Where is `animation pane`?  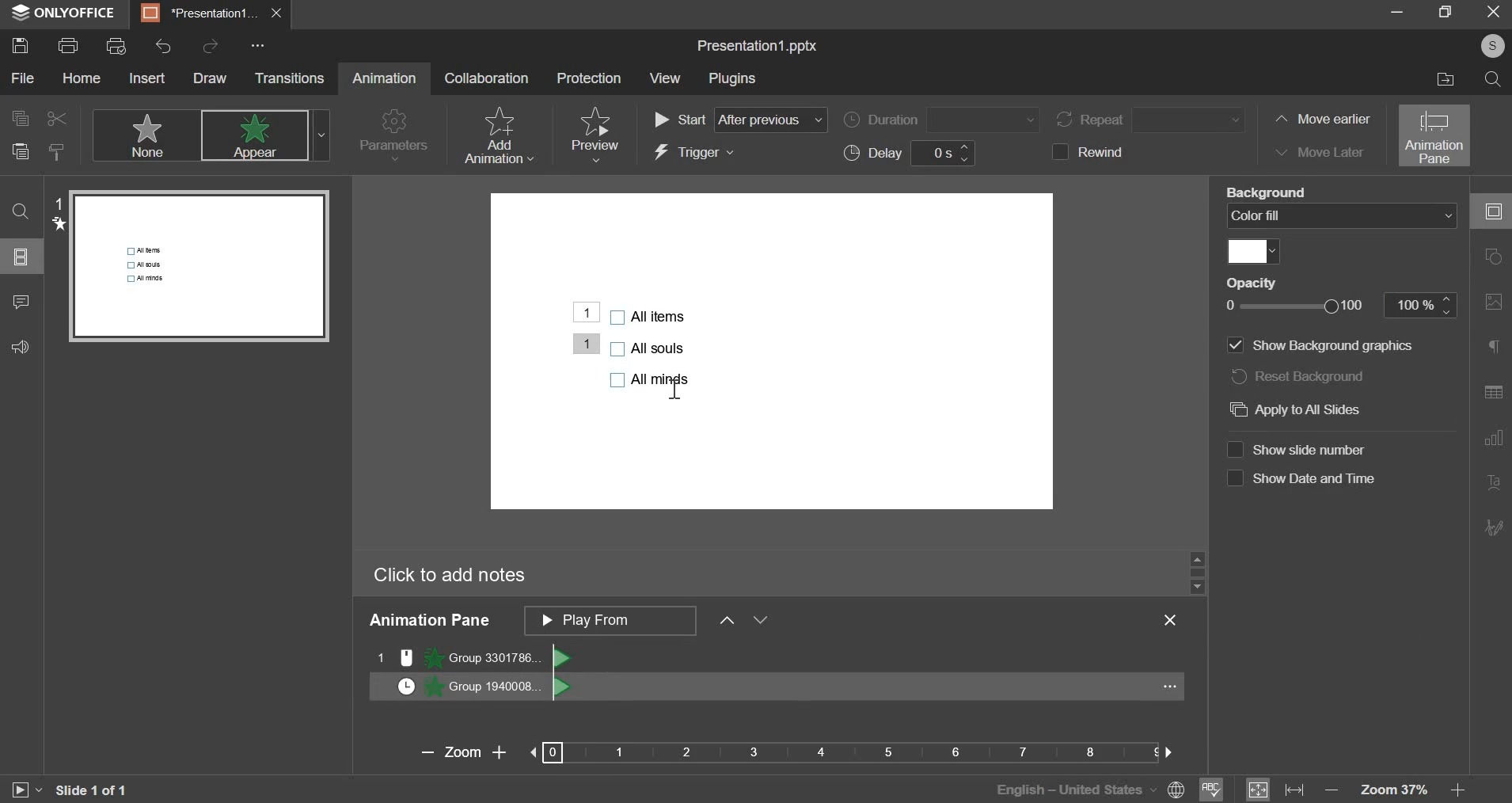
animation pane is located at coordinates (428, 621).